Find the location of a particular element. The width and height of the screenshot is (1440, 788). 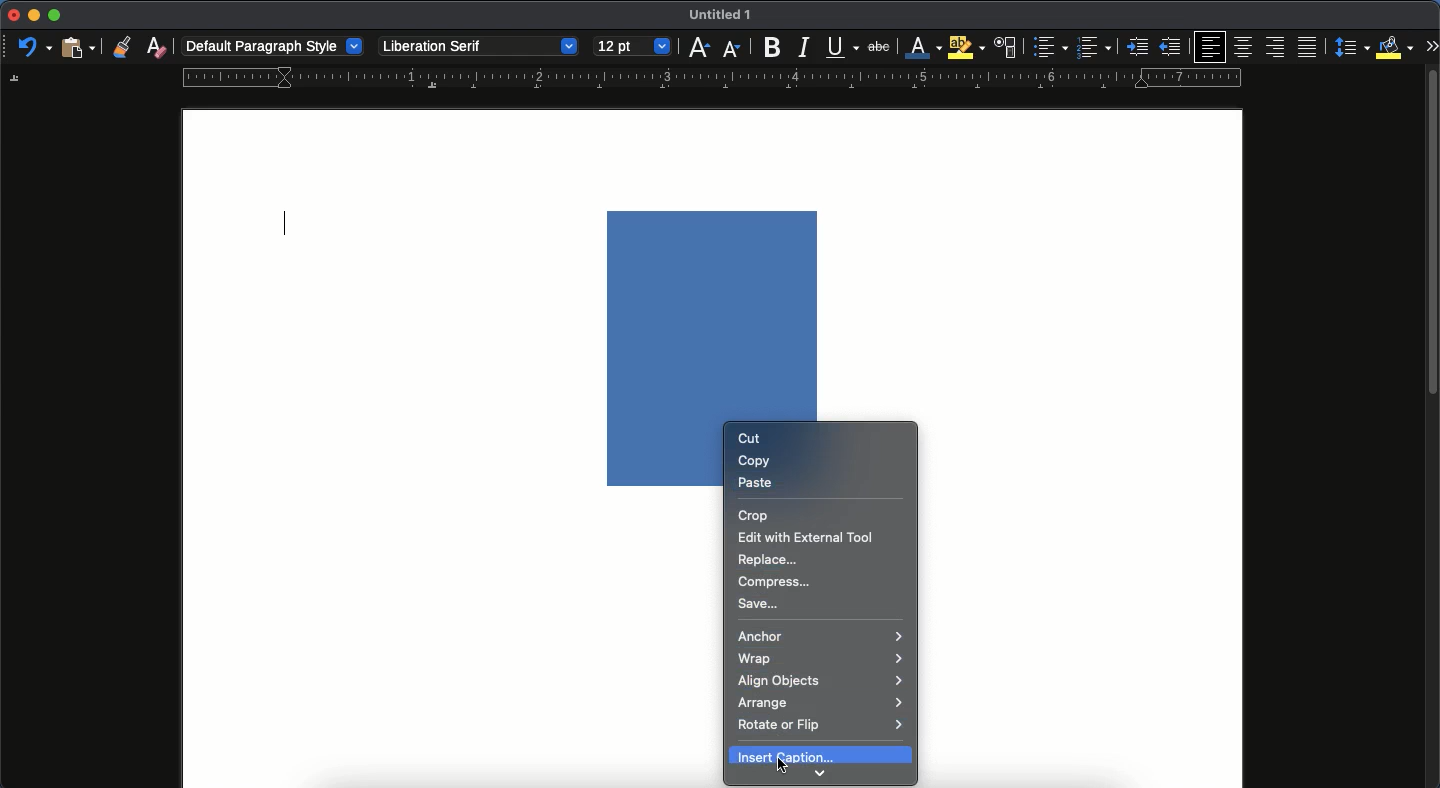

more is located at coordinates (819, 774).